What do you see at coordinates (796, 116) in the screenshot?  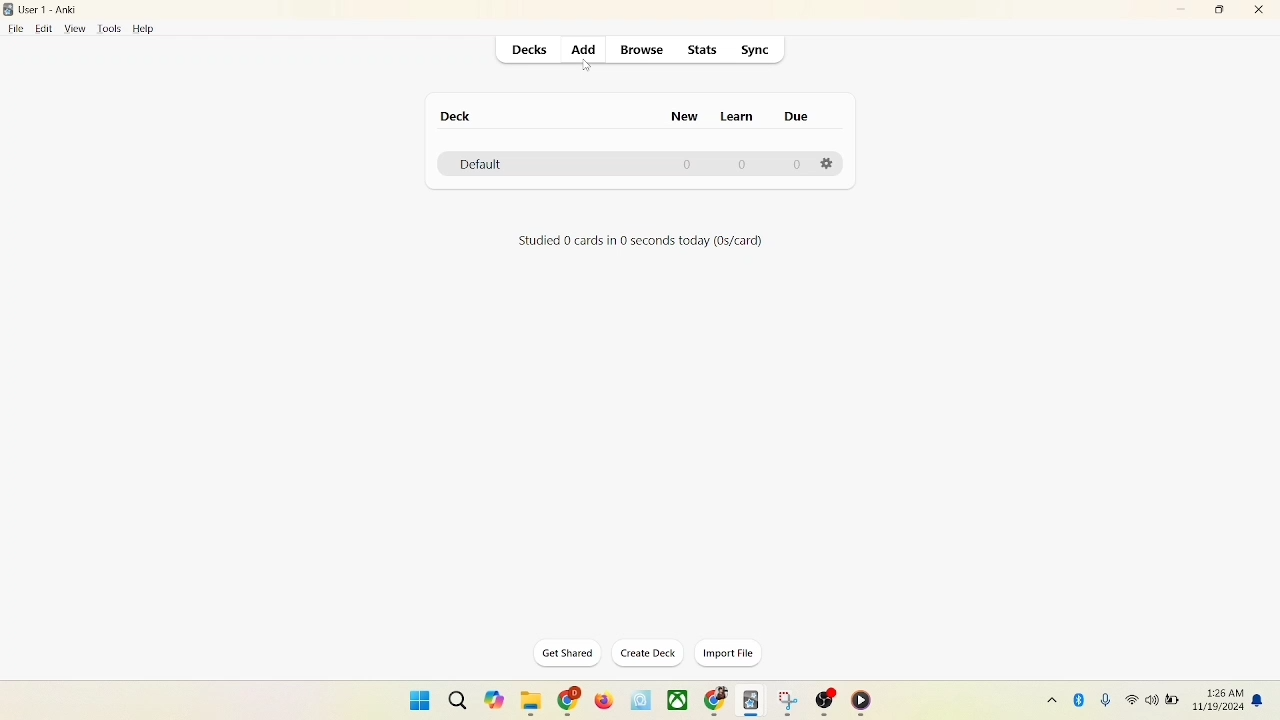 I see `due` at bounding box center [796, 116].